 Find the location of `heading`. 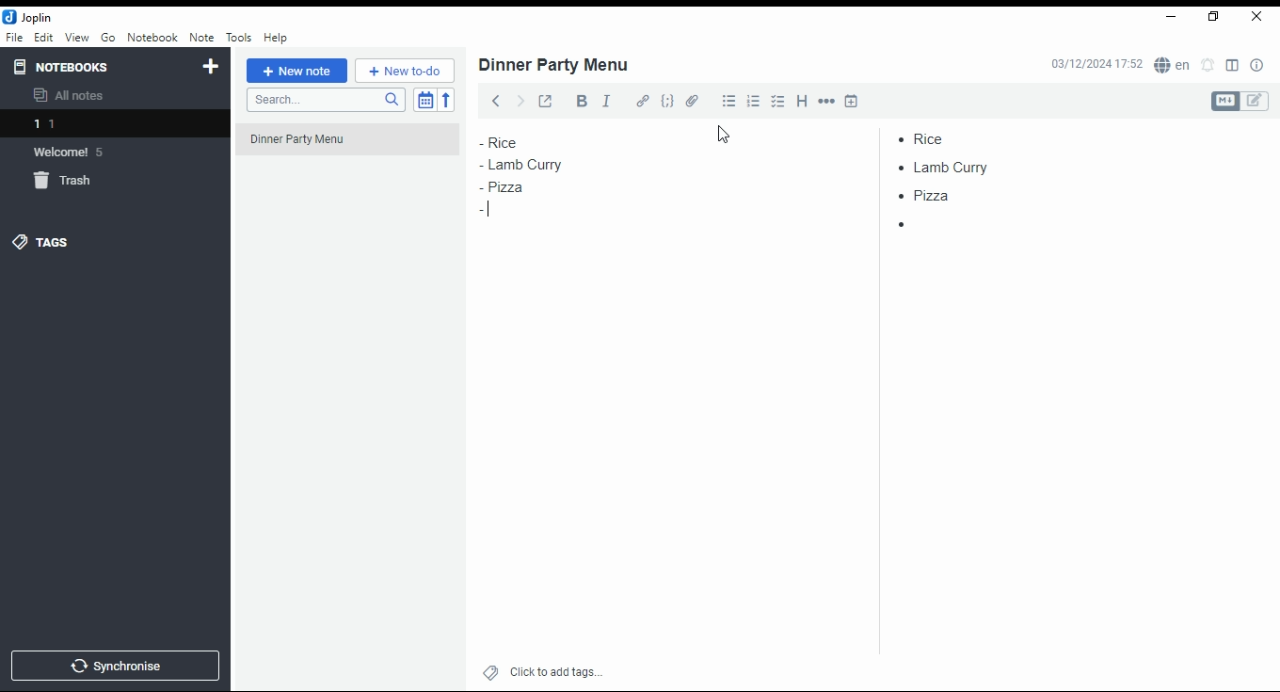

heading is located at coordinates (803, 102).